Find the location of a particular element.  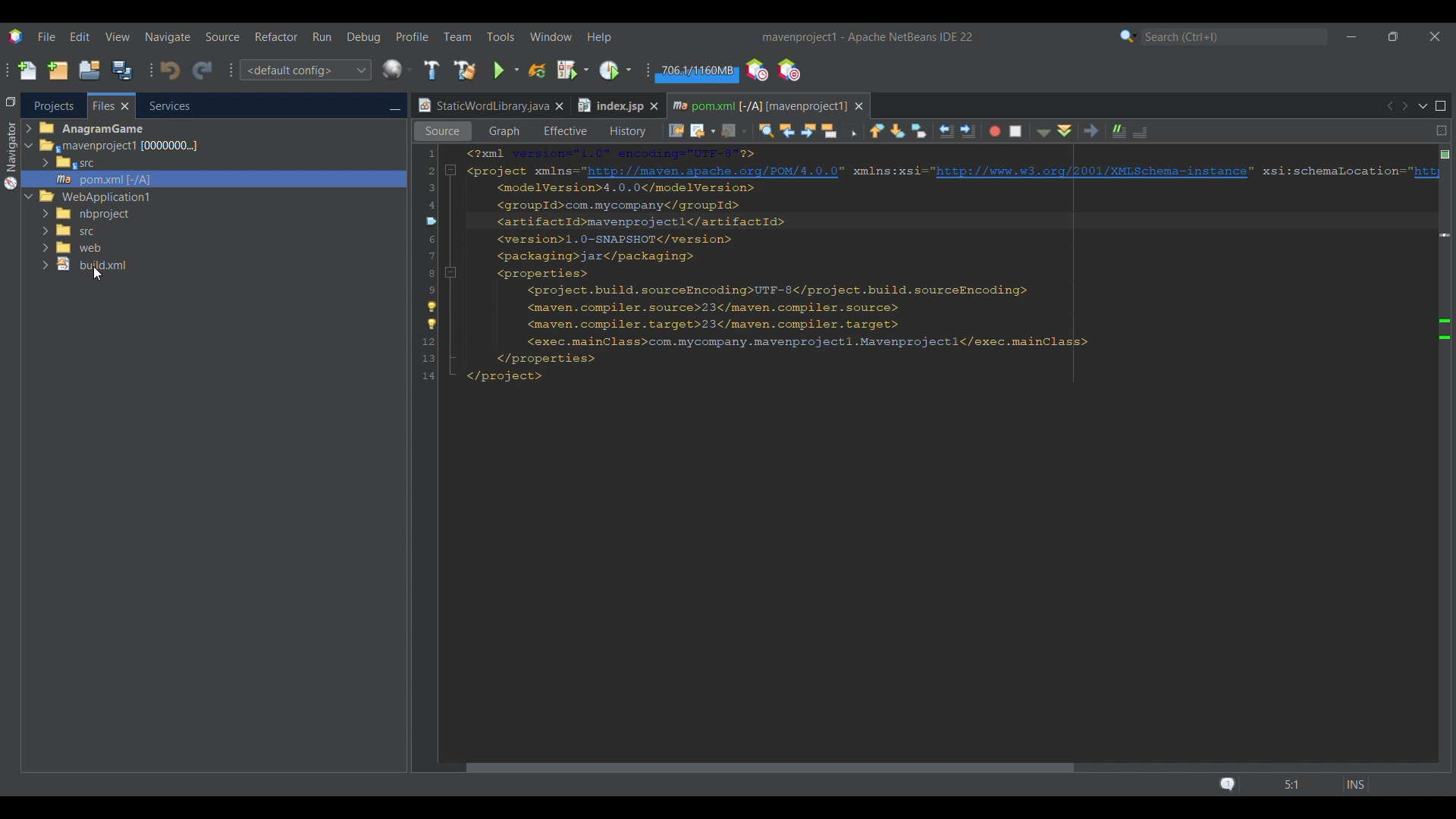

Toggle bookmark is located at coordinates (919, 130).